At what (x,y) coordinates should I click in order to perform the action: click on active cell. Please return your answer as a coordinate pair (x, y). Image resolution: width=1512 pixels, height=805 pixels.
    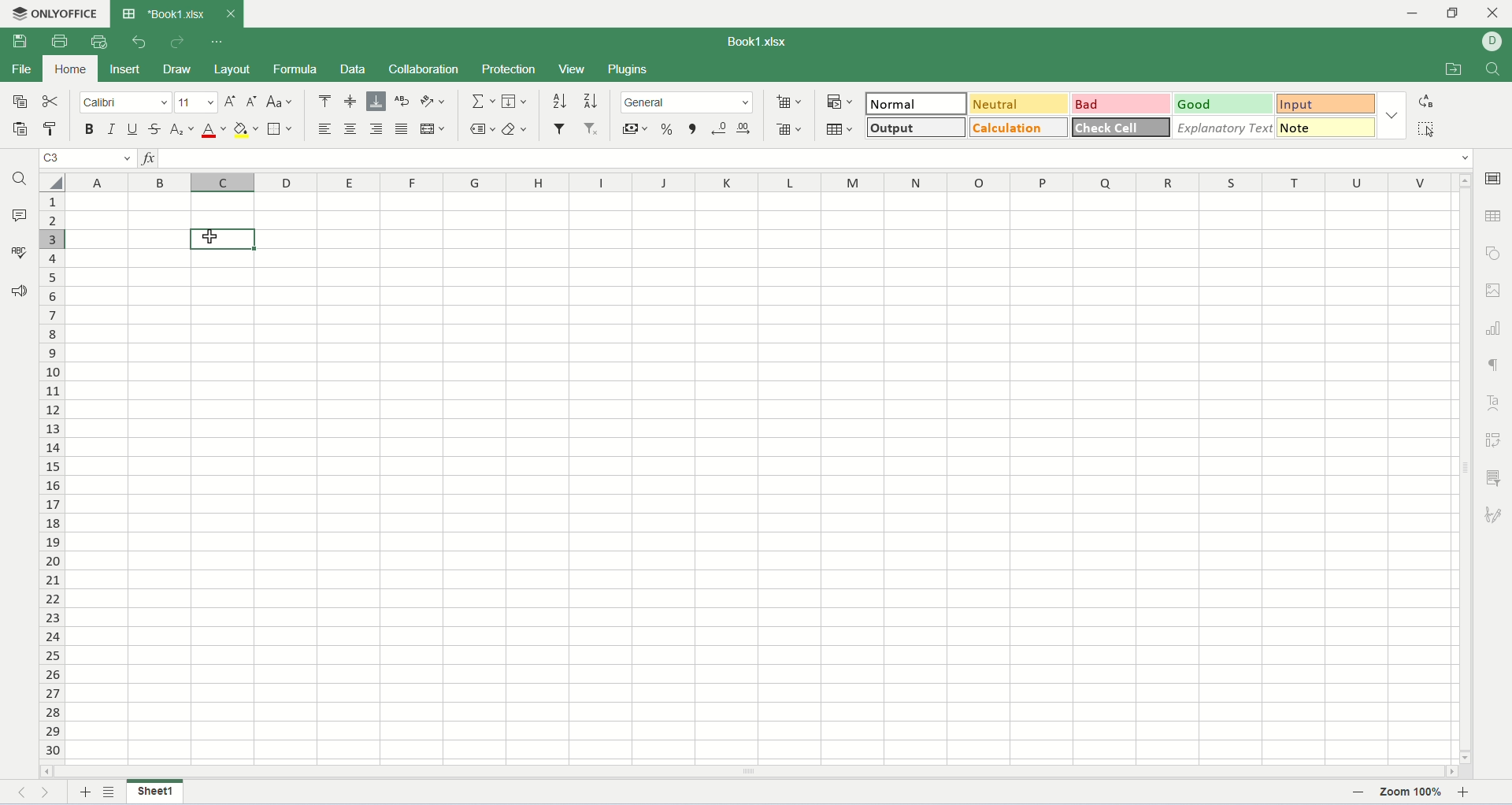
    Looking at the image, I should click on (224, 239).